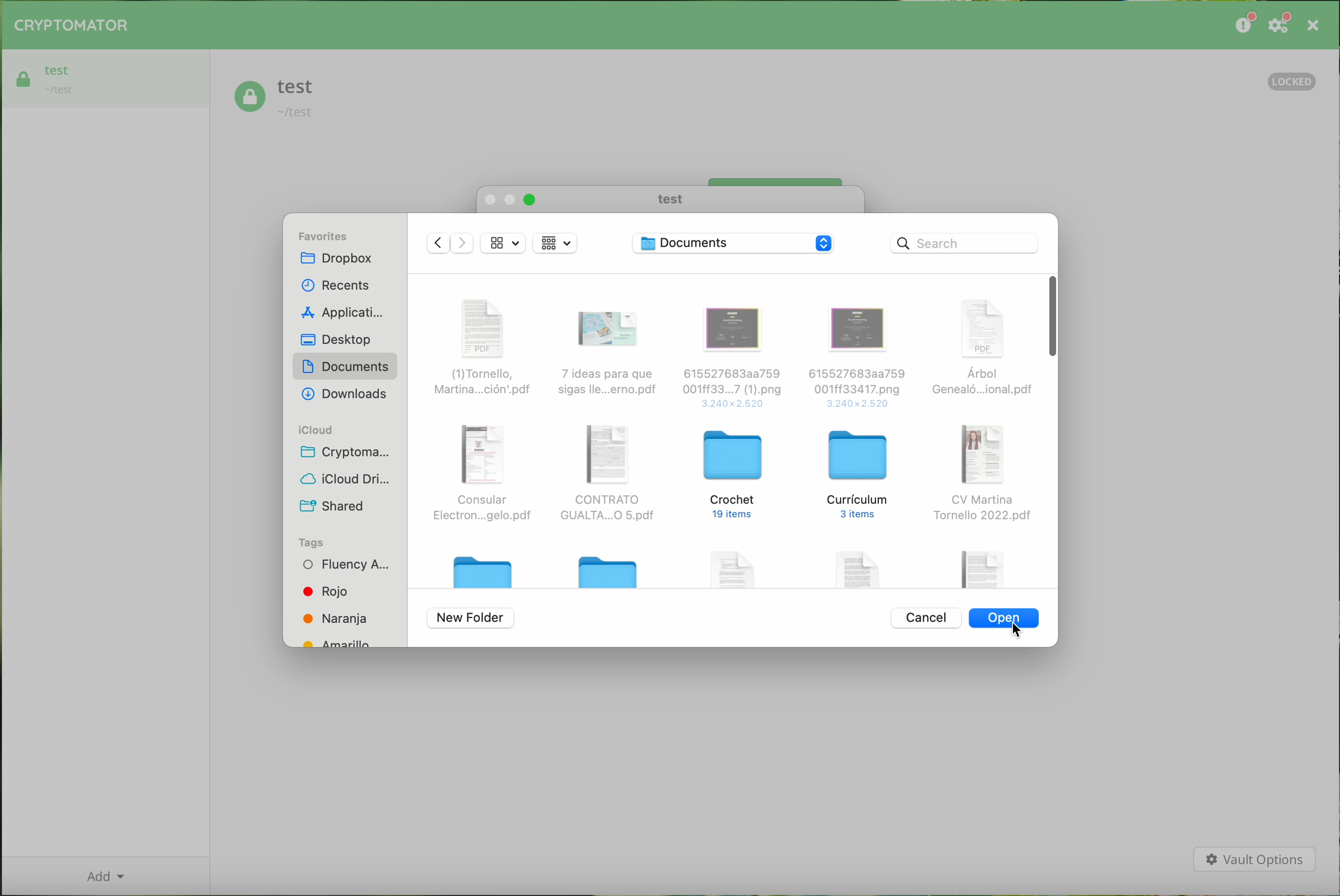 This screenshot has height=896, width=1340. Describe the element at coordinates (1243, 25) in the screenshot. I see `donate` at that location.